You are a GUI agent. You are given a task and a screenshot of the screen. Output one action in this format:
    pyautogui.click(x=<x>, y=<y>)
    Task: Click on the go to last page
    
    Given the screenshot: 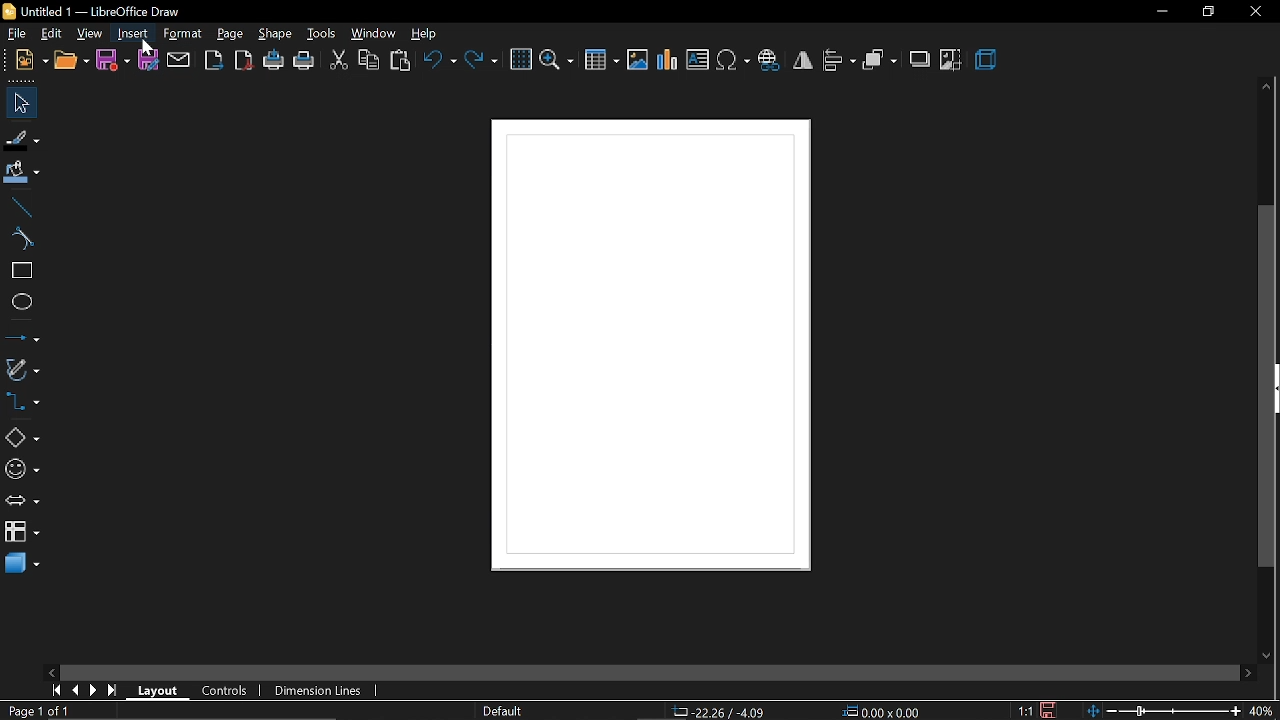 What is the action you would take?
    pyautogui.click(x=109, y=691)
    